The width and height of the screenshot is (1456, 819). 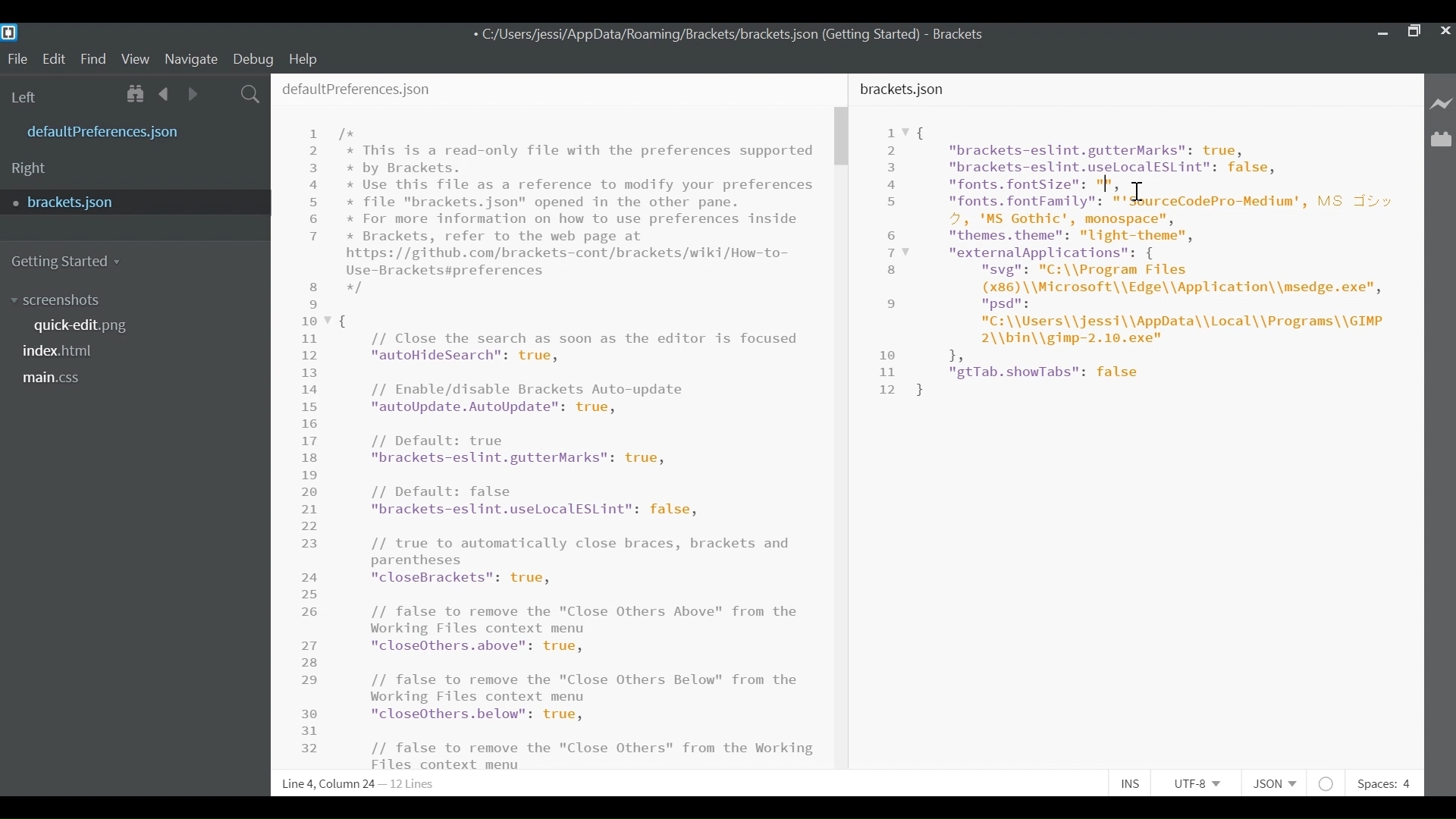 I want to click on C:/Users/jessi/AppData/Roaming/Brackets/brackets json (Getting Started) - Brackets, so click(x=729, y=34).